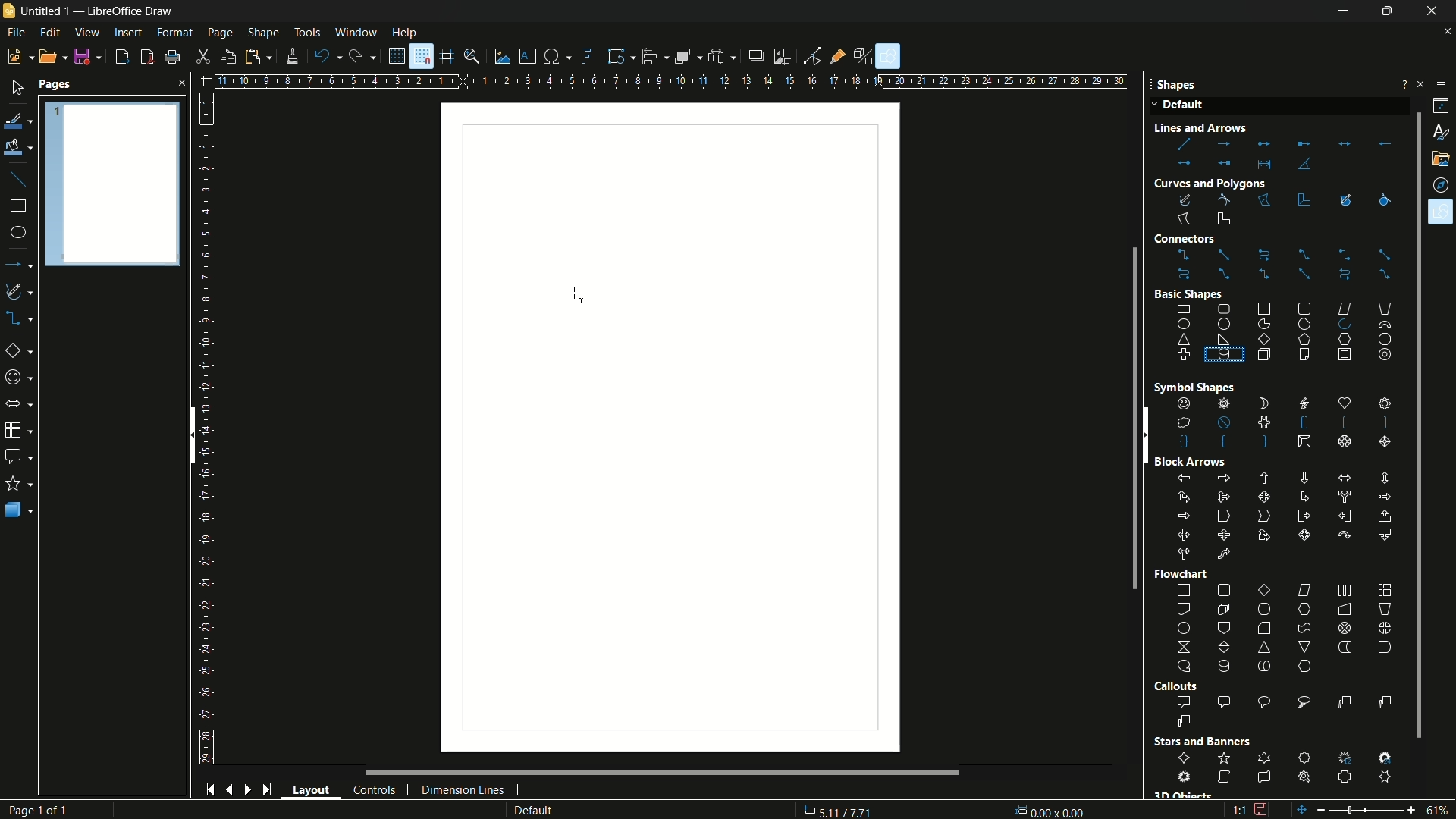 This screenshot has width=1456, height=819. Describe the element at coordinates (17, 122) in the screenshot. I see `line color` at that location.